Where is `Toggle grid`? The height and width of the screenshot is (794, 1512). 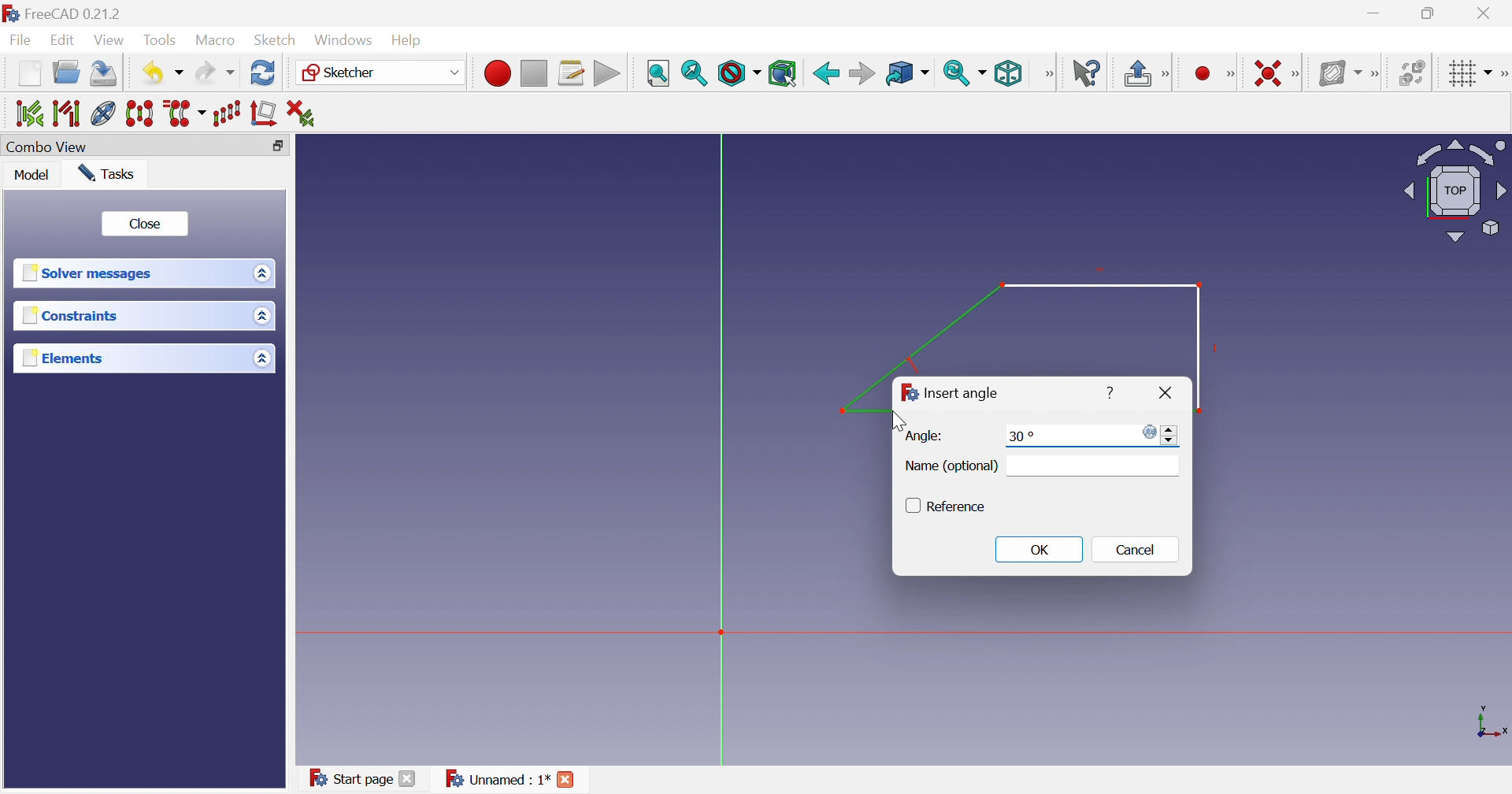 Toggle grid is located at coordinates (1458, 73).